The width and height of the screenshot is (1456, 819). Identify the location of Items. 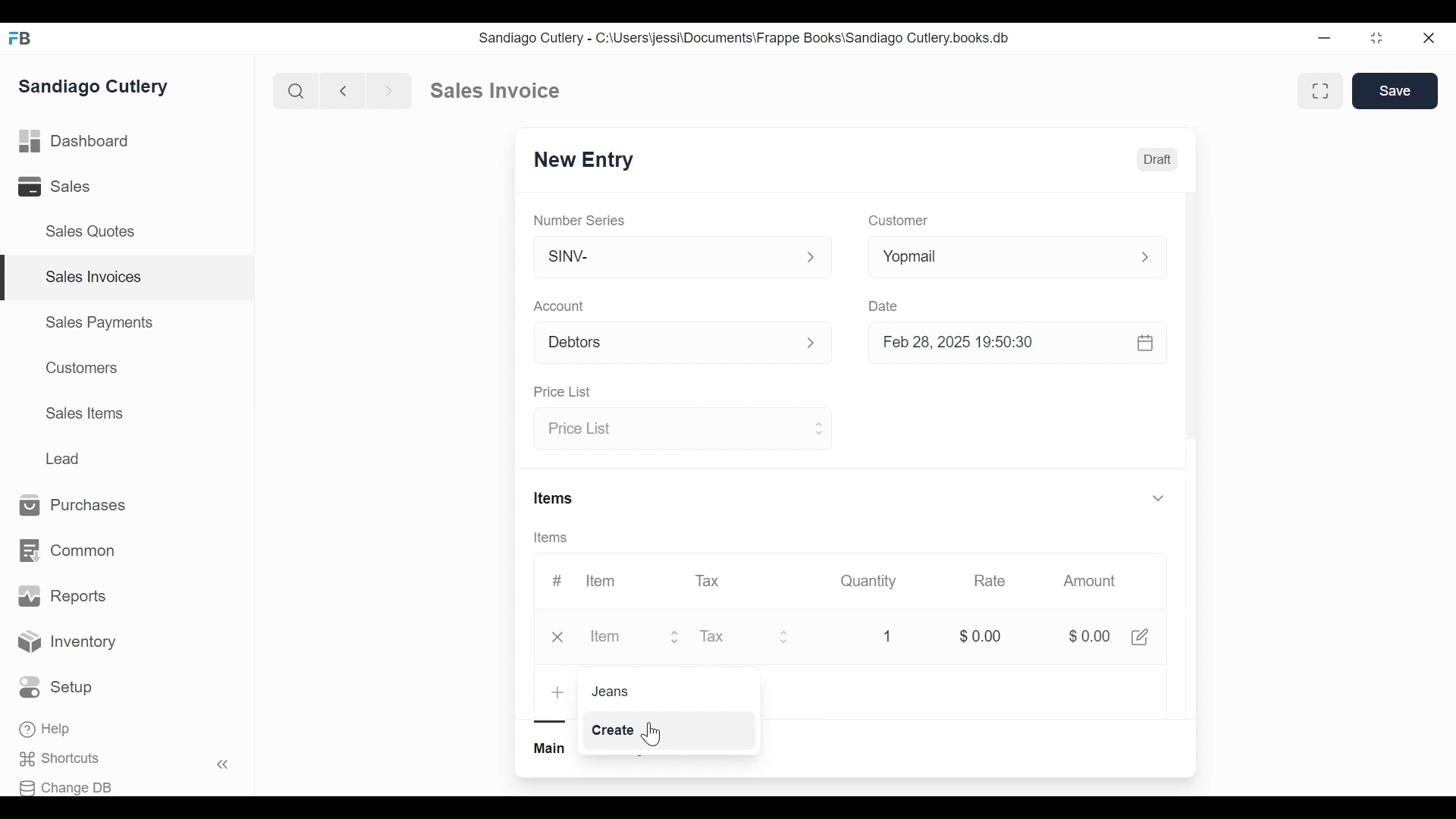
(556, 497).